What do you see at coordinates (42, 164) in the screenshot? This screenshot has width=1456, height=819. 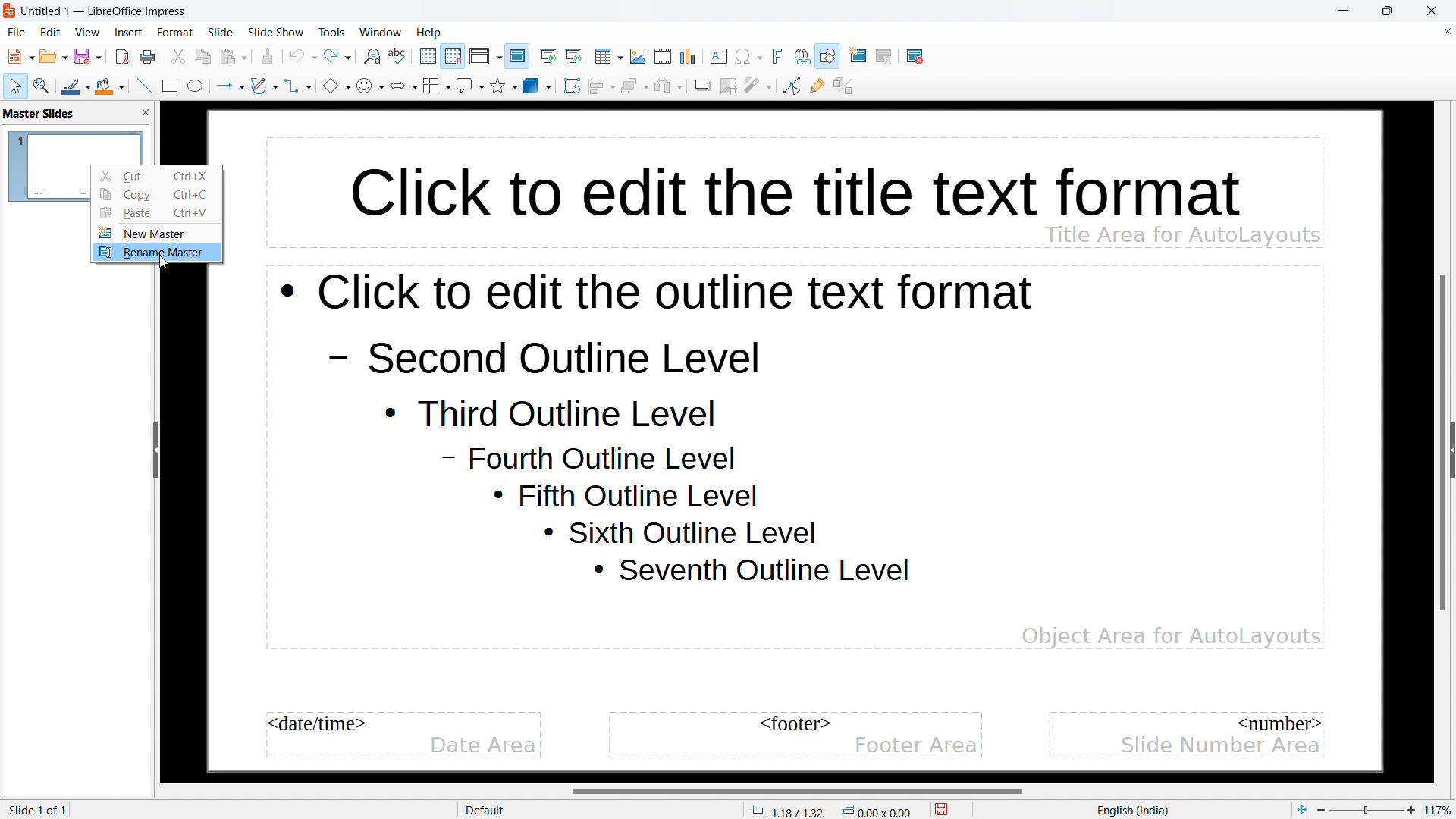 I see `master slide name: default` at bounding box center [42, 164].